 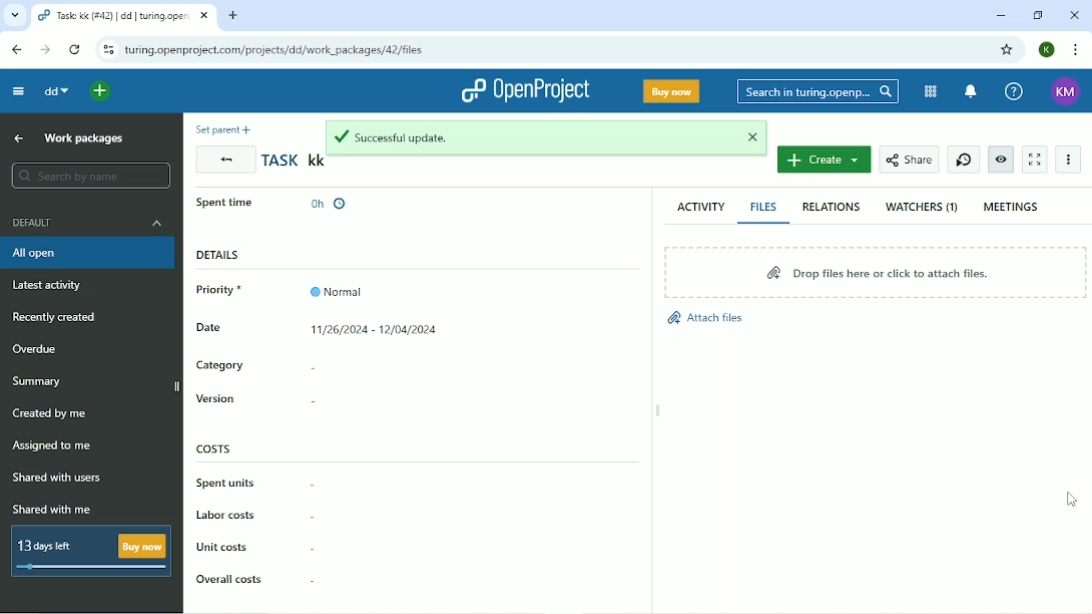 What do you see at coordinates (1000, 159) in the screenshot?
I see `Unwatch work package` at bounding box center [1000, 159].